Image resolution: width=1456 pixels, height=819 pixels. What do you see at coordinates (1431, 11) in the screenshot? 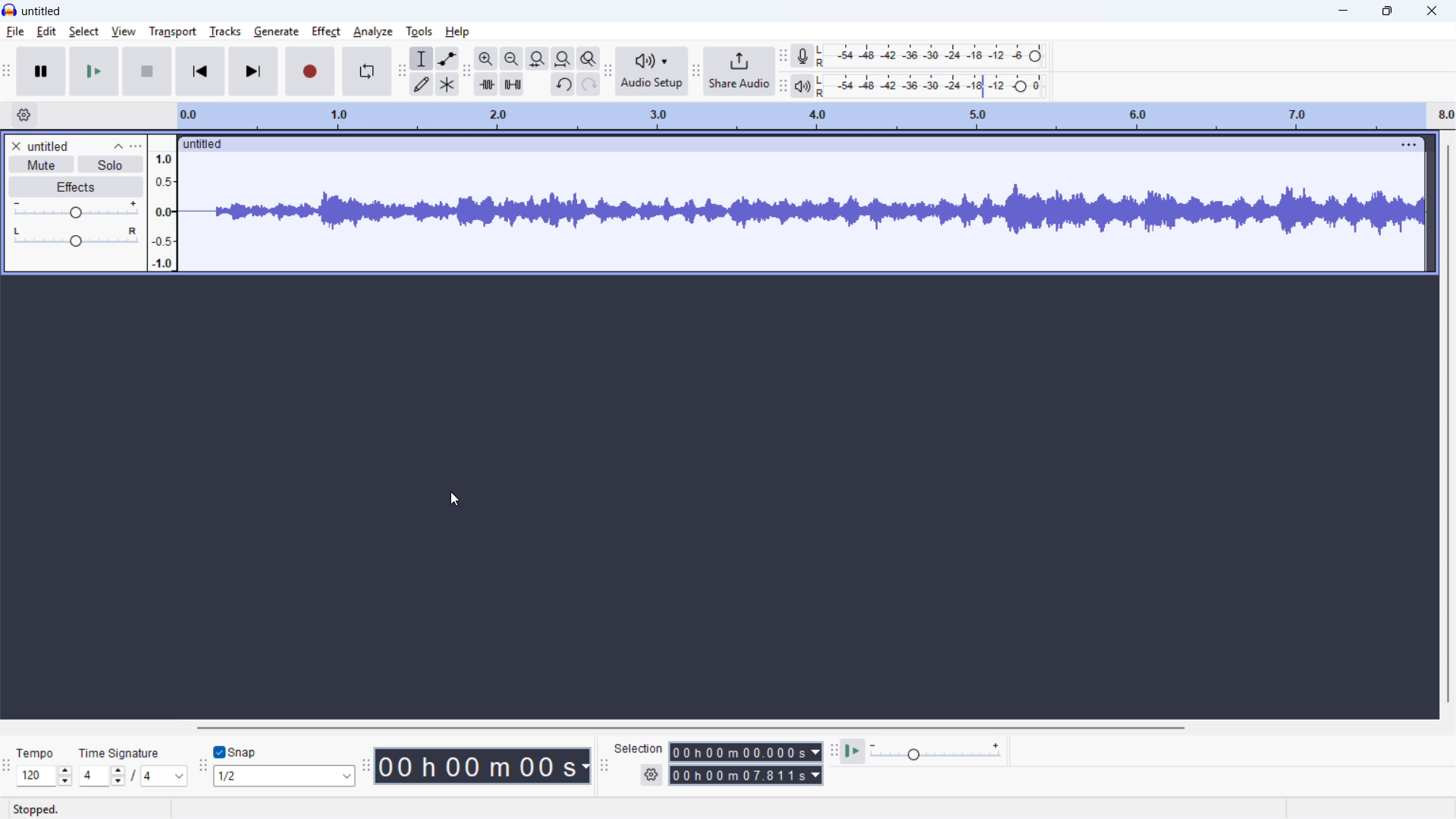
I see `close` at bounding box center [1431, 11].